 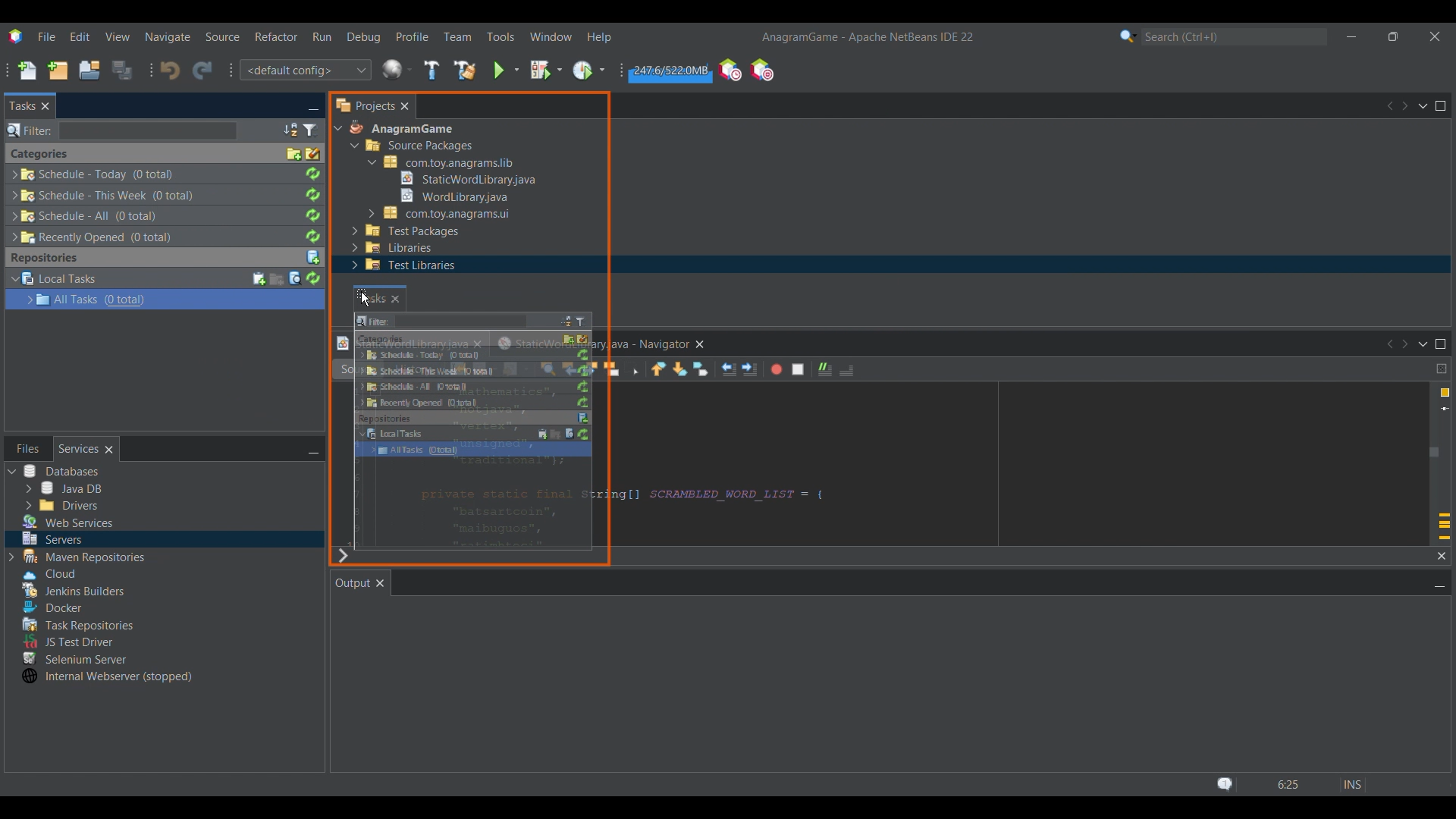 What do you see at coordinates (1442, 557) in the screenshot?
I see `Close` at bounding box center [1442, 557].